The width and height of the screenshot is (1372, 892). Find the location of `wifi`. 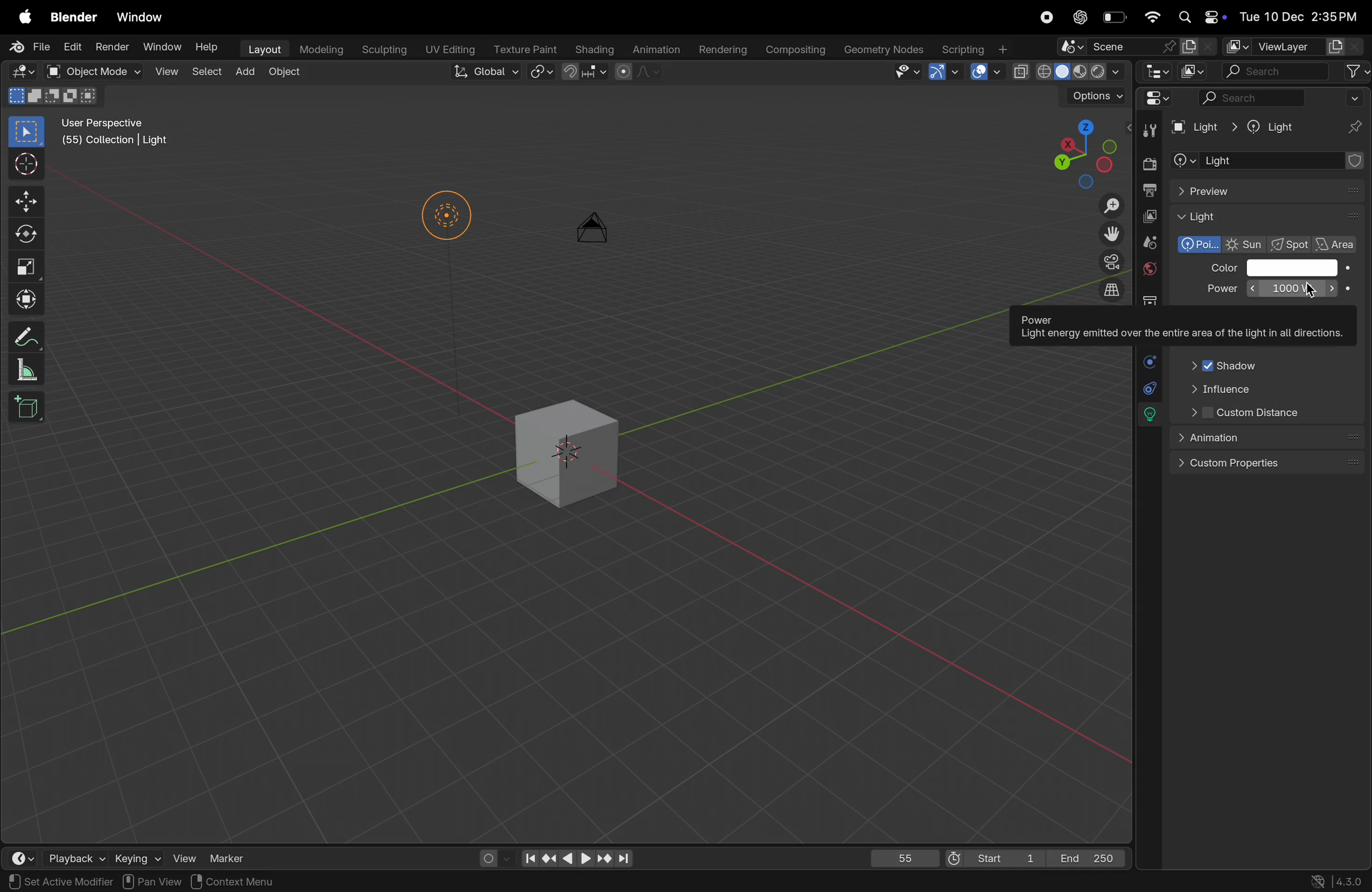

wifi is located at coordinates (1149, 16).